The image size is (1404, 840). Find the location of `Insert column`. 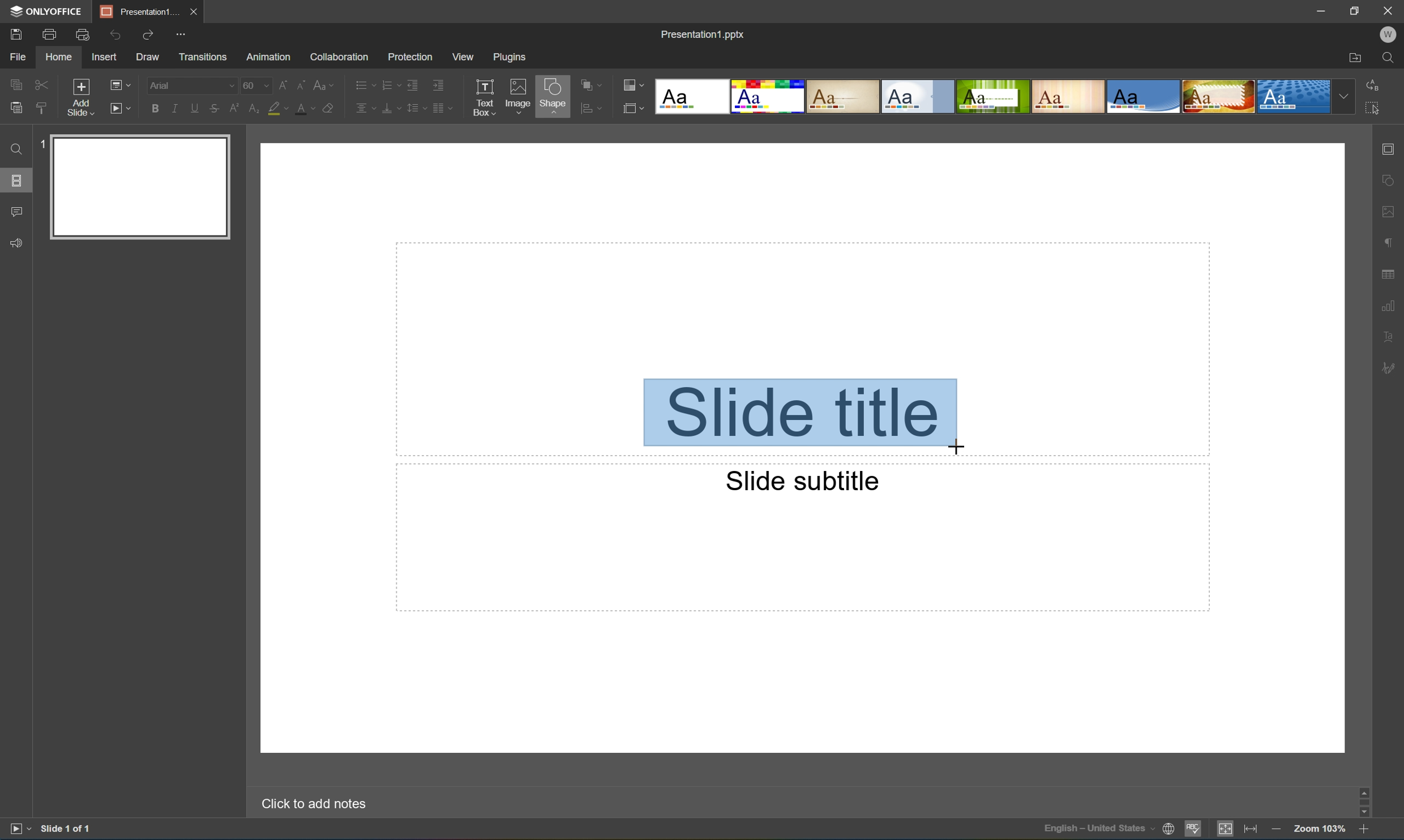

Insert column is located at coordinates (446, 108).